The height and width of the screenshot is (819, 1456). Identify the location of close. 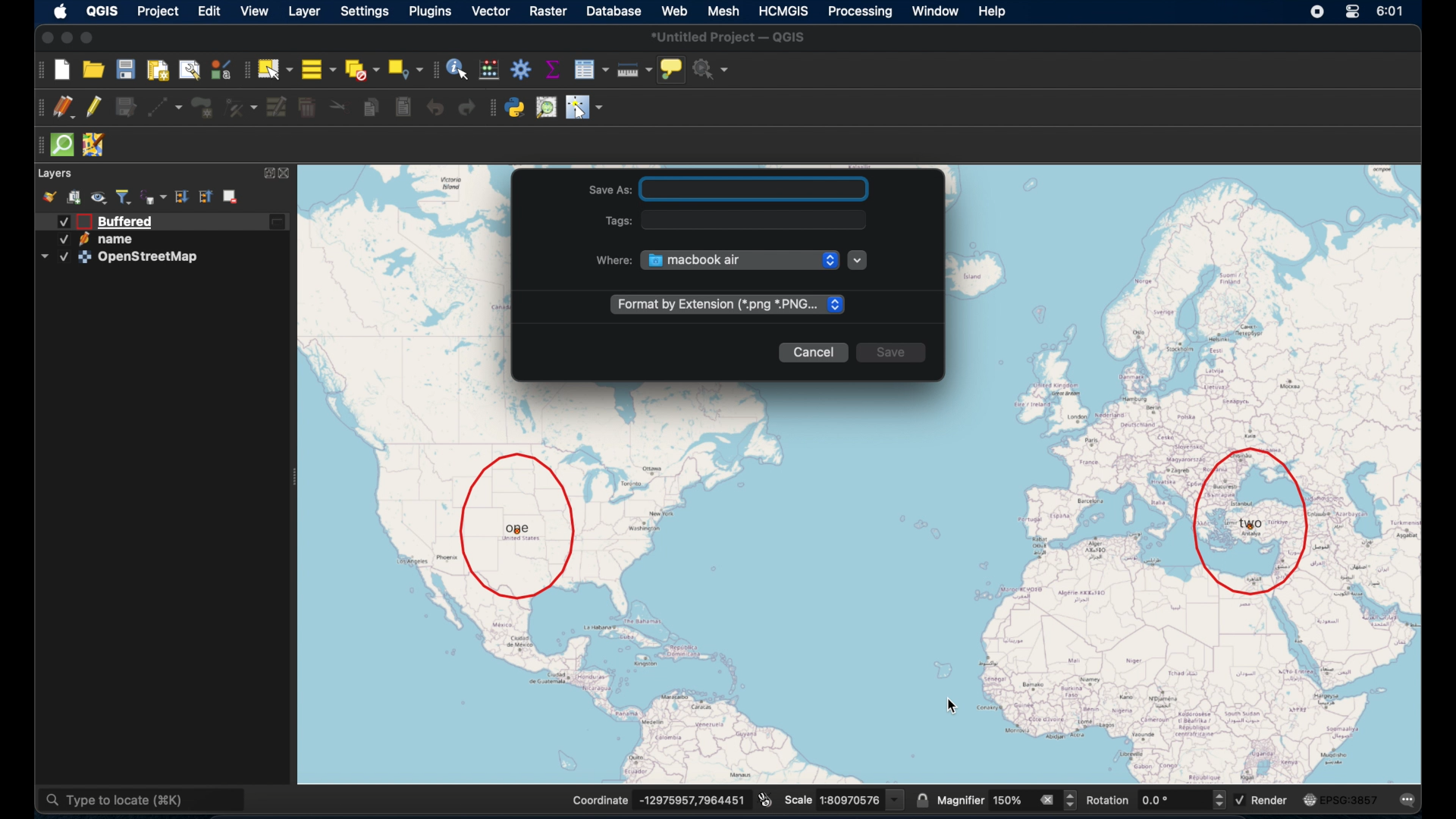
(45, 36).